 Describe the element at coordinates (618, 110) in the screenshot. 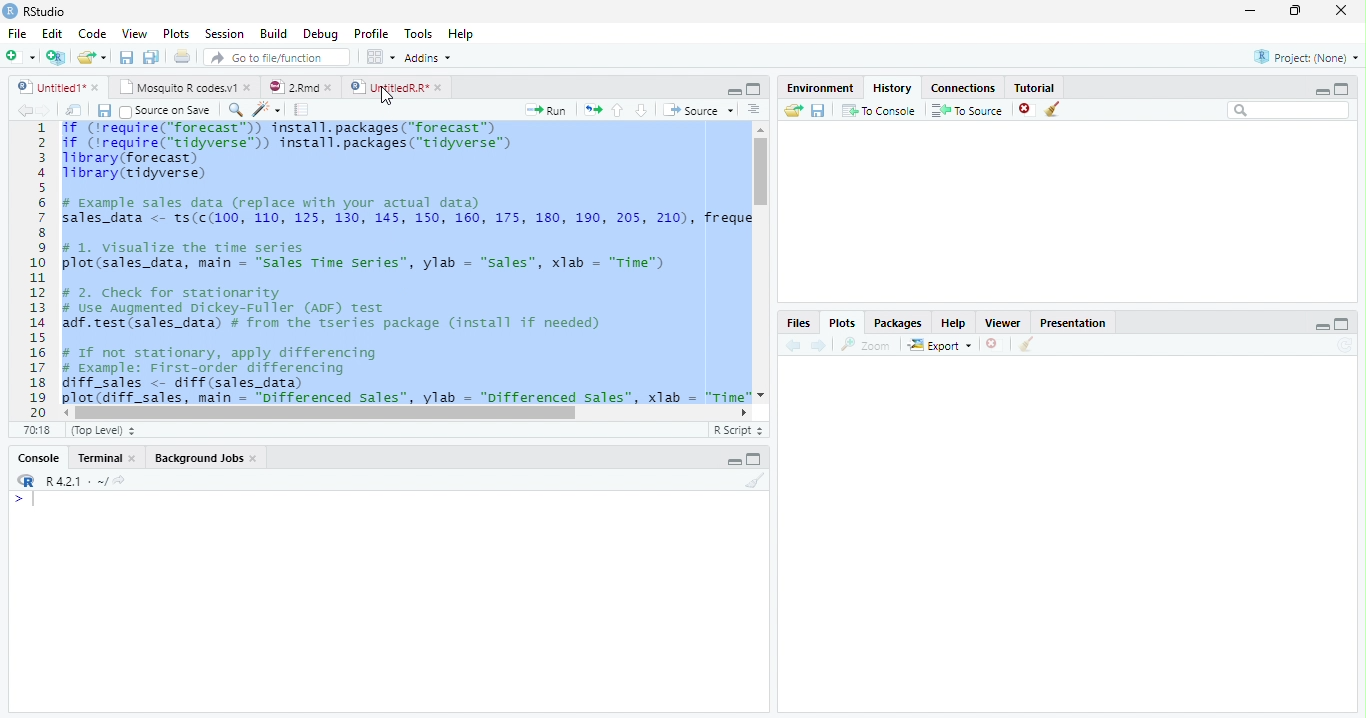

I see `Up` at that location.